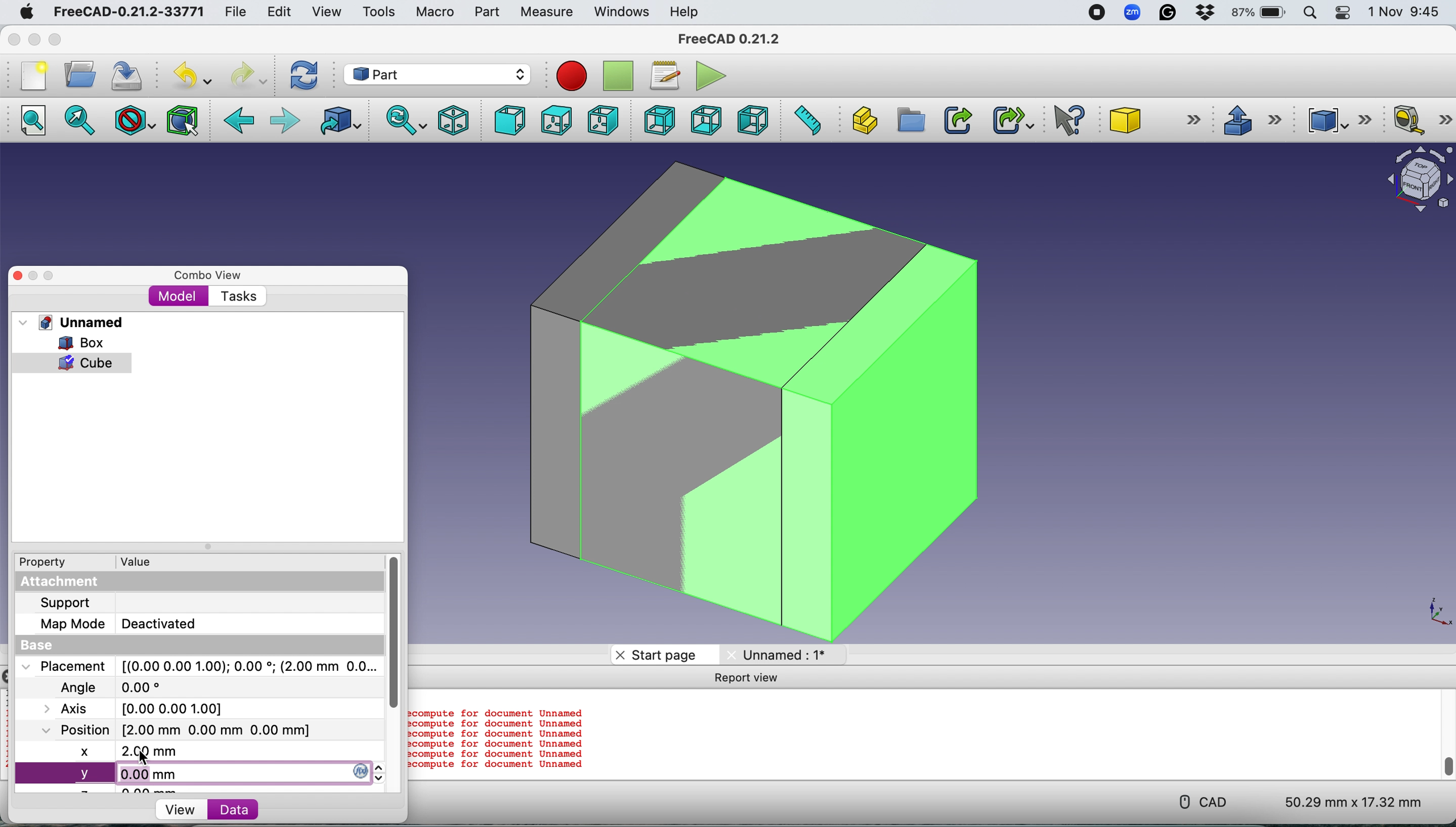 Image resolution: width=1456 pixels, height=827 pixels. What do you see at coordinates (789, 654) in the screenshot?
I see `Unnamed: 1*` at bounding box center [789, 654].